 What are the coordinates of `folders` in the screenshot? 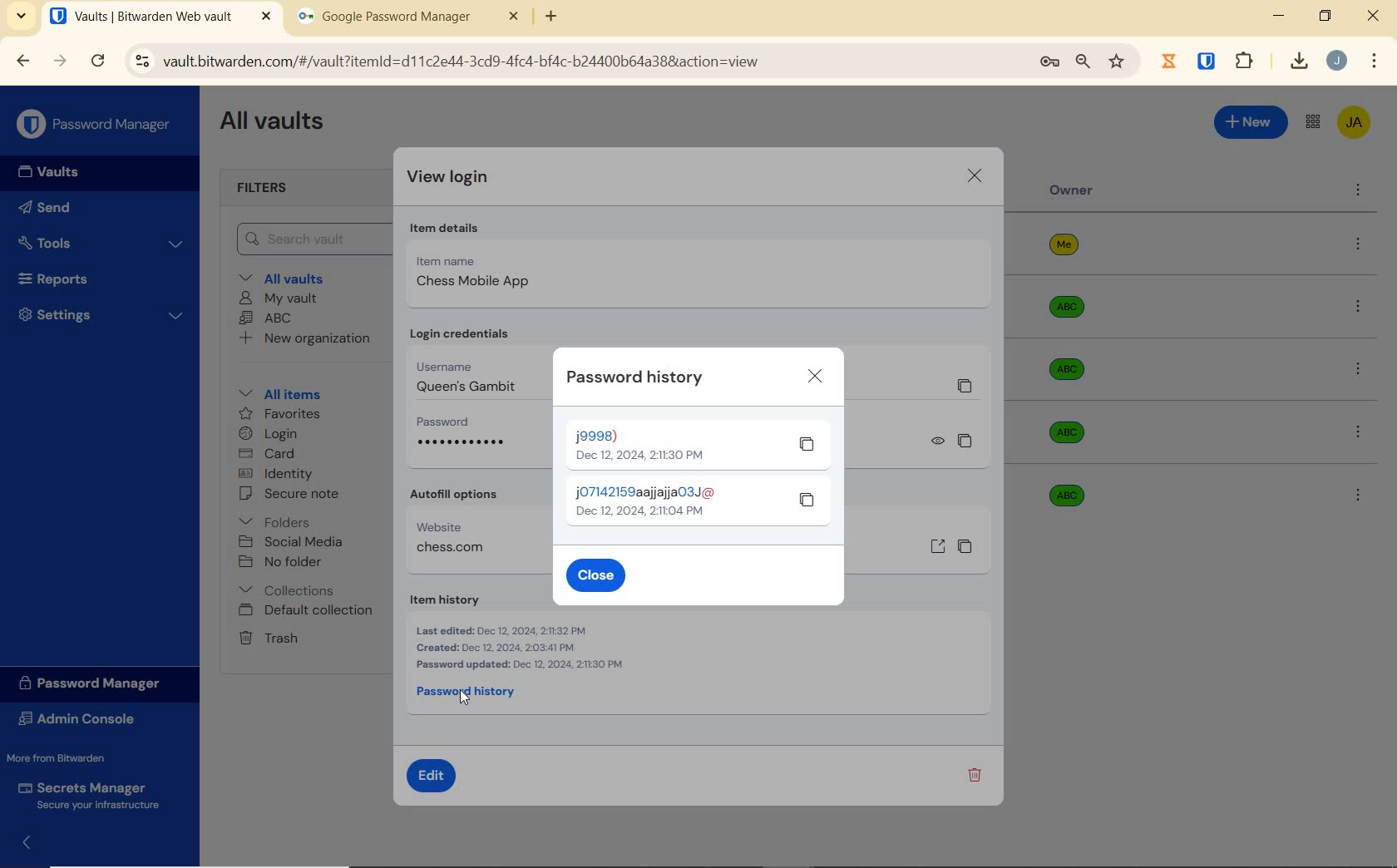 It's located at (288, 521).